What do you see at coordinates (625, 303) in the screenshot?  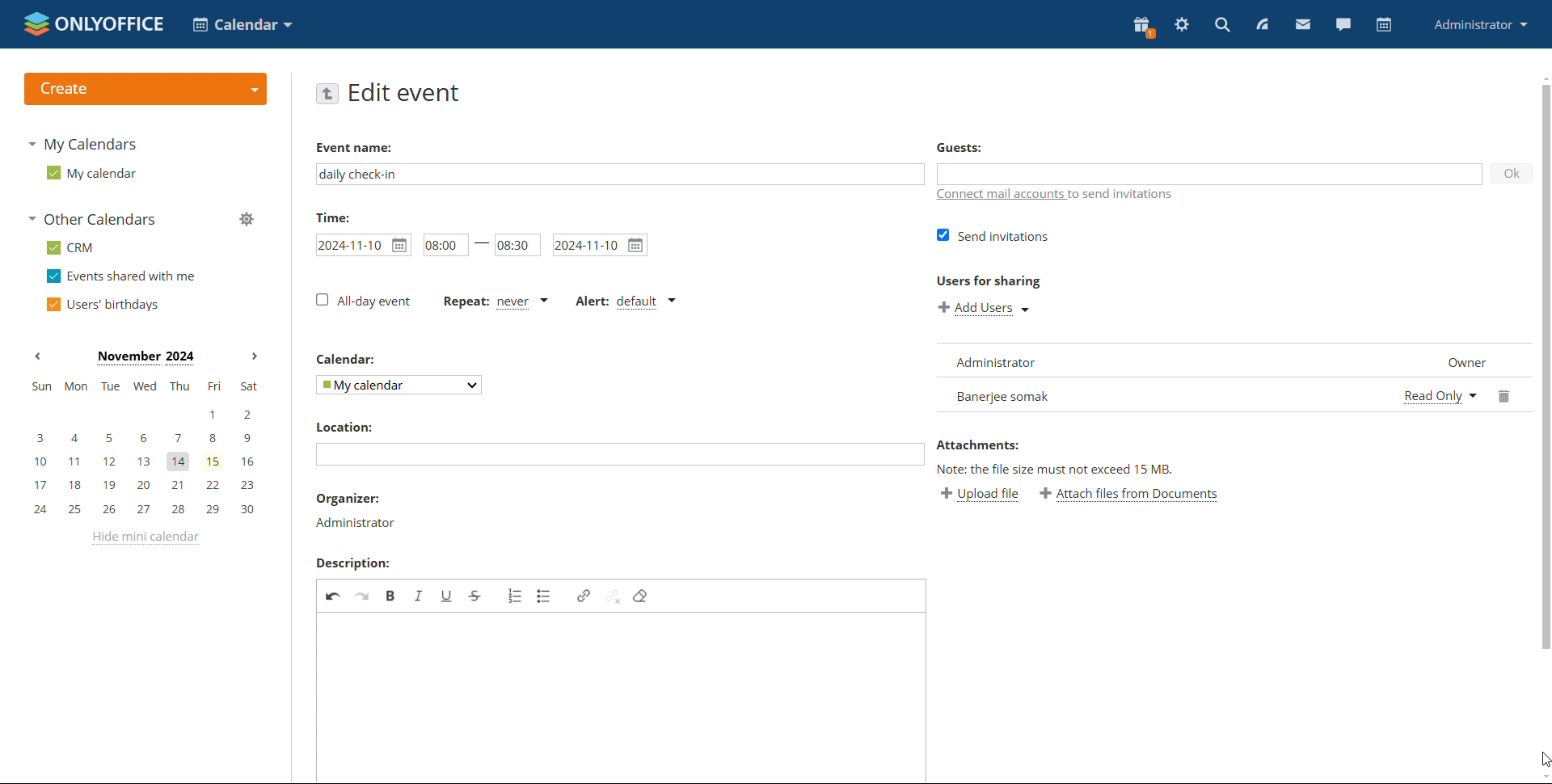 I see `alert type` at bounding box center [625, 303].